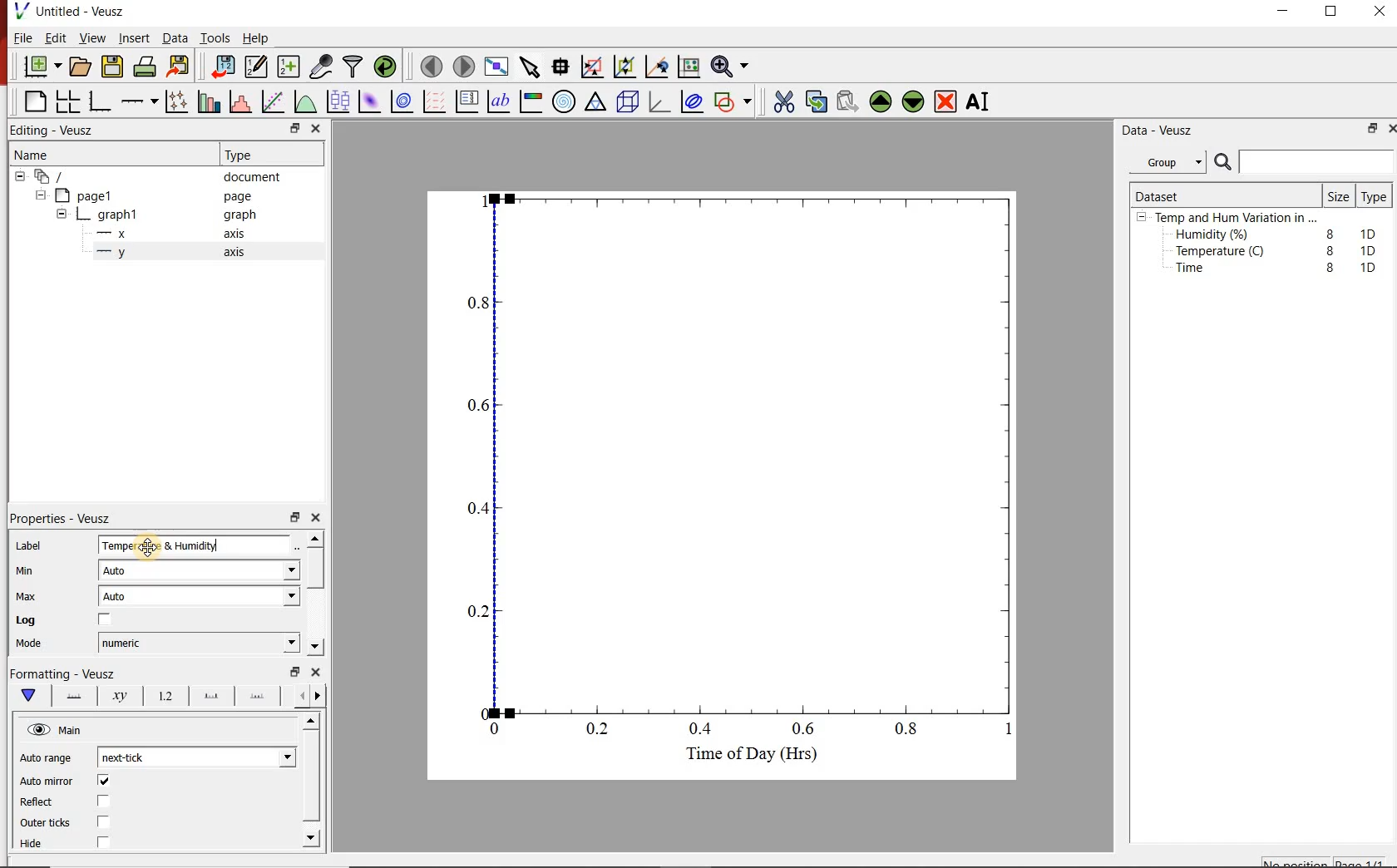 This screenshot has width=1397, height=868. I want to click on Help, so click(257, 37).